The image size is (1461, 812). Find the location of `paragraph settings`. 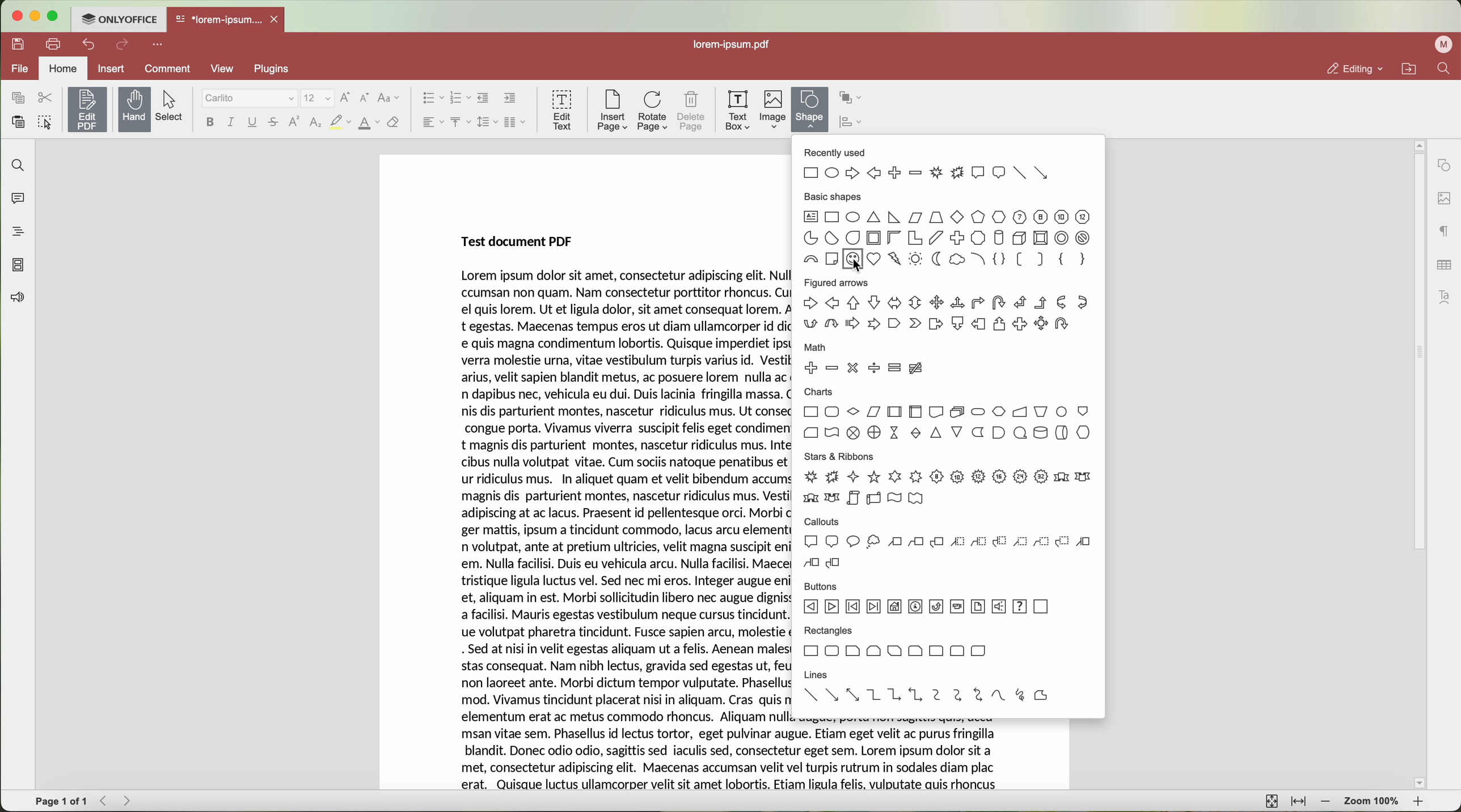

paragraph settings is located at coordinates (1441, 232).